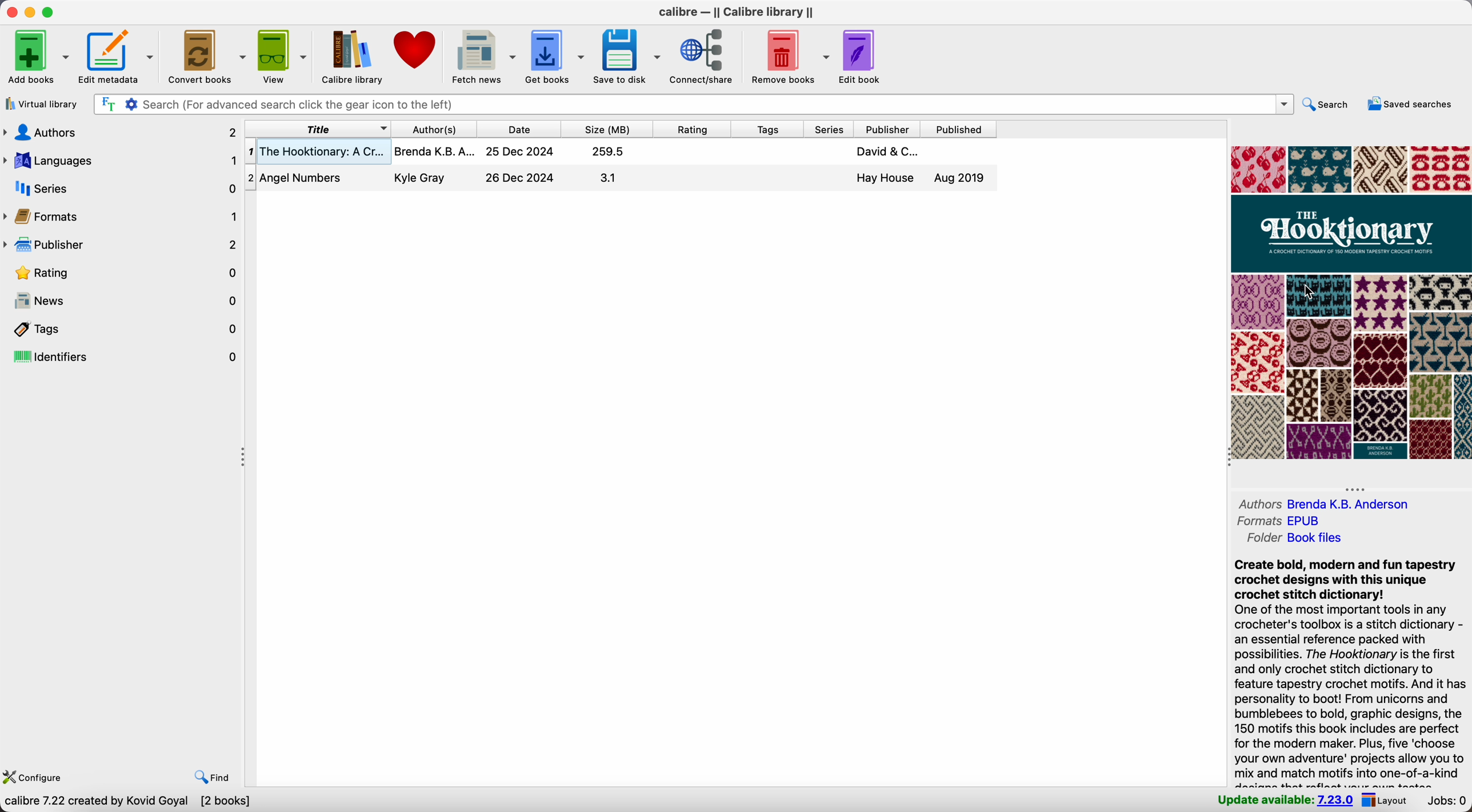  I want to click on fetch news, so click(481, 56).